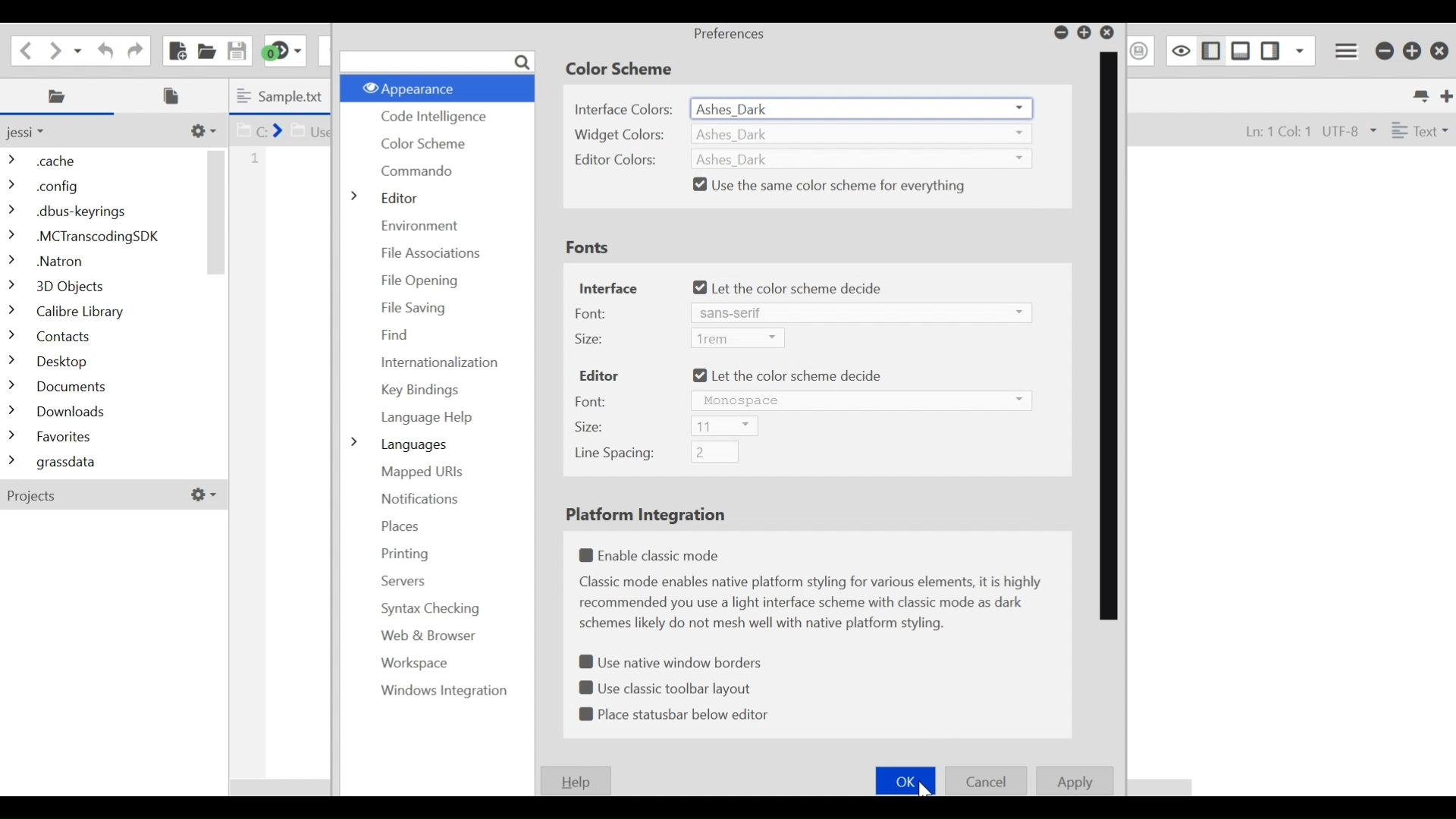 The width and height of the screenshot is (1456, 819). What do you see at coordinates (284, 51) in the screenshot?
I see `jump to the next syntax checking result` at bounding box center [284, 51].